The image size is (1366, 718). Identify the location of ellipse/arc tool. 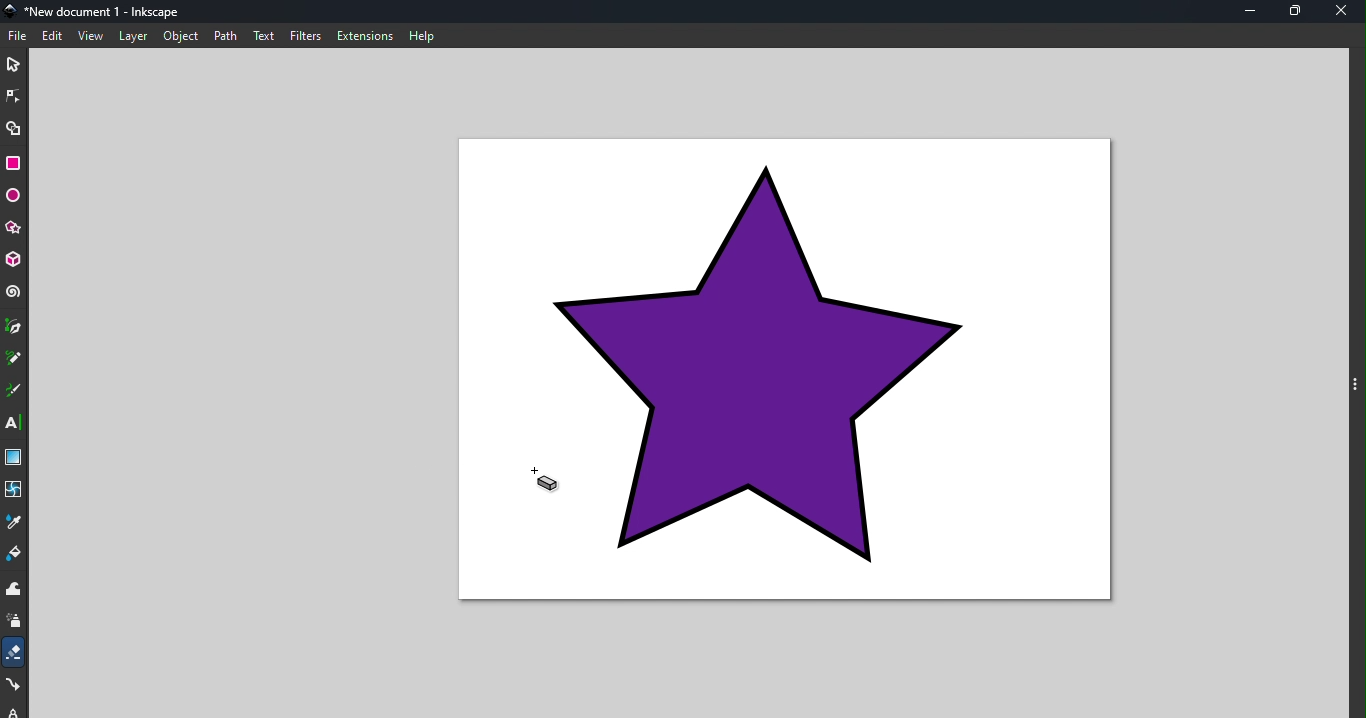
(13, 196).